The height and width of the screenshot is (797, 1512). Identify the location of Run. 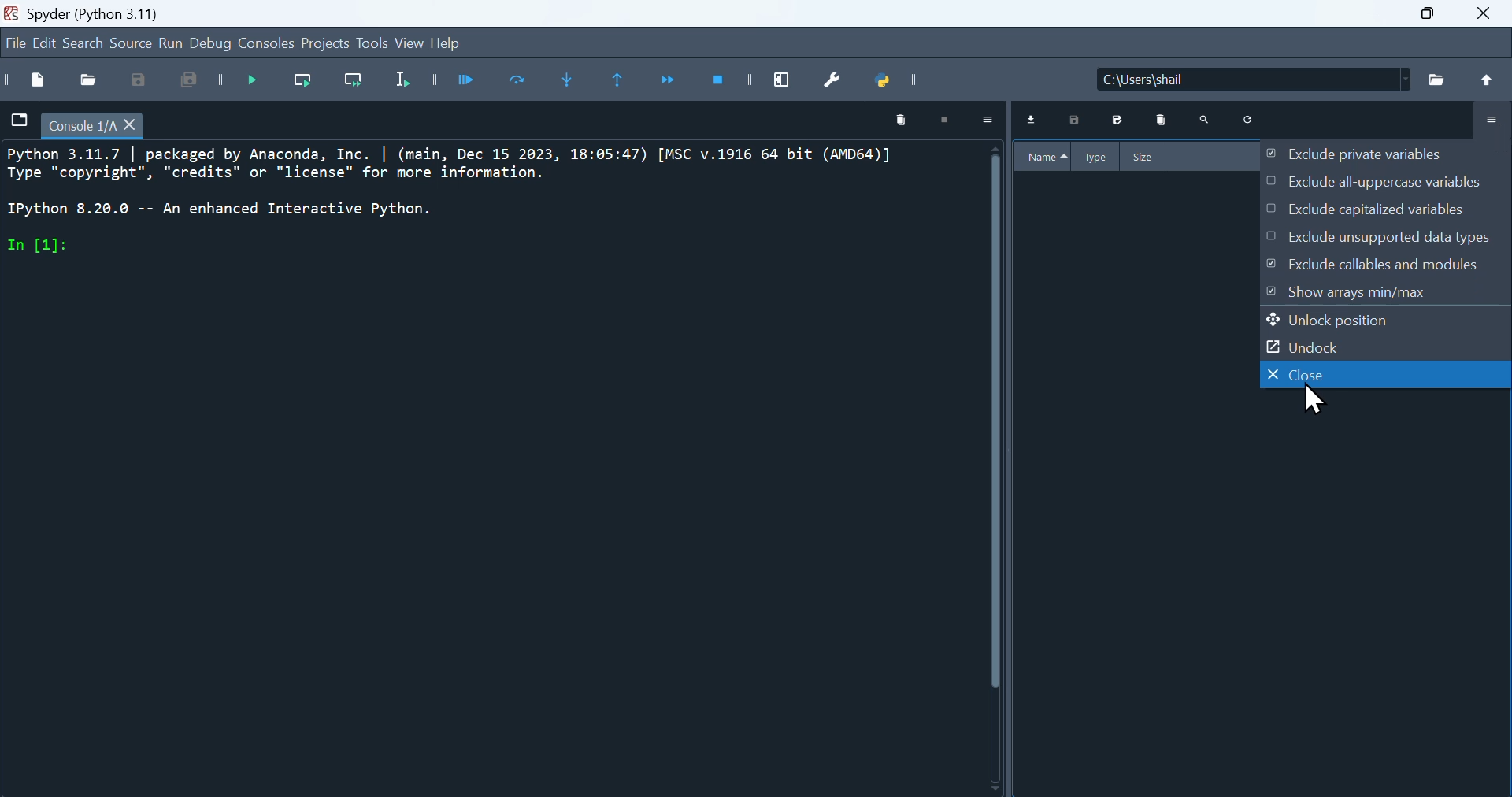
(173, 45).